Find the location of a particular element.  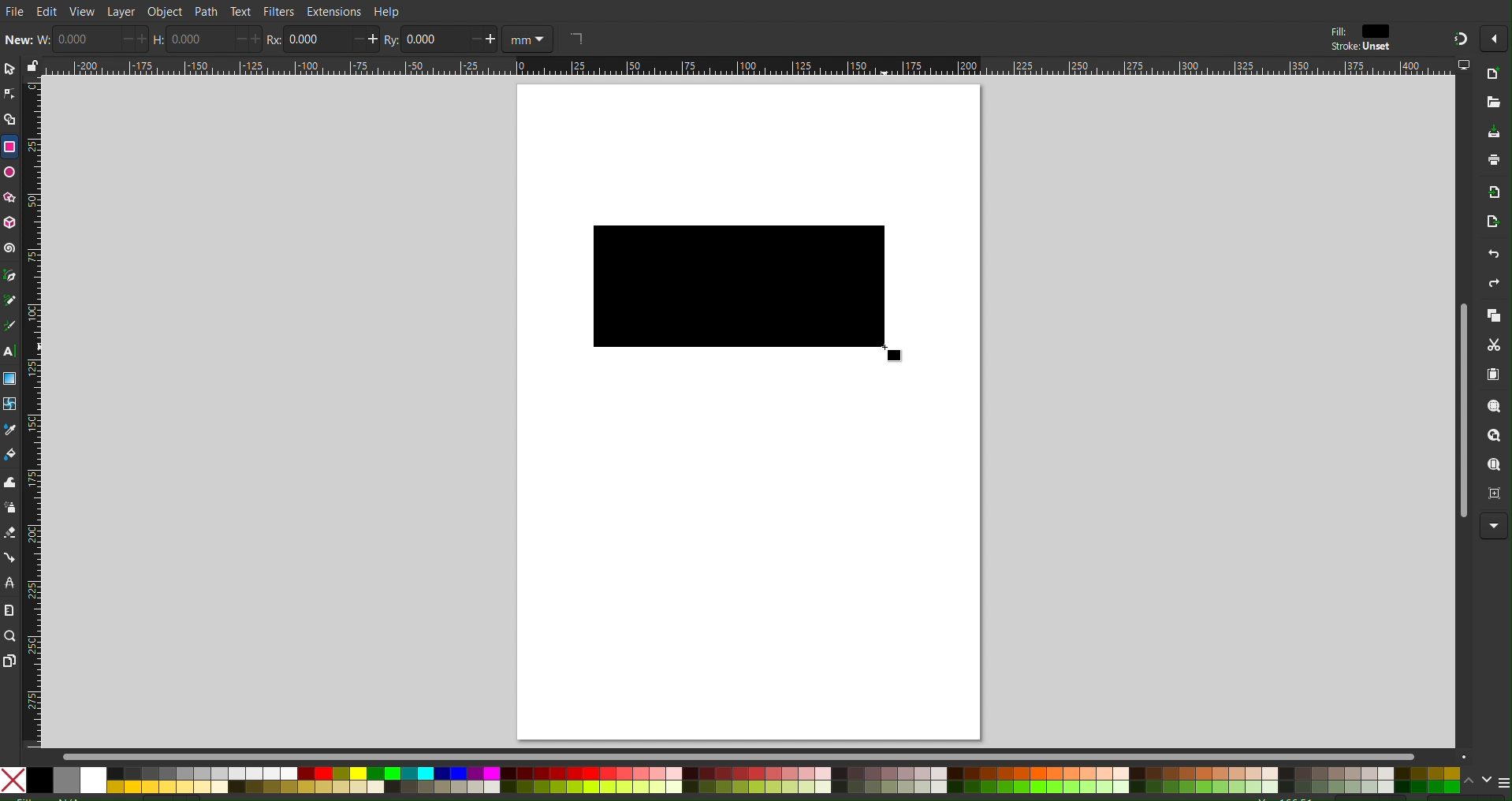

Zoom Selection is located at coordinates (1496, 410).